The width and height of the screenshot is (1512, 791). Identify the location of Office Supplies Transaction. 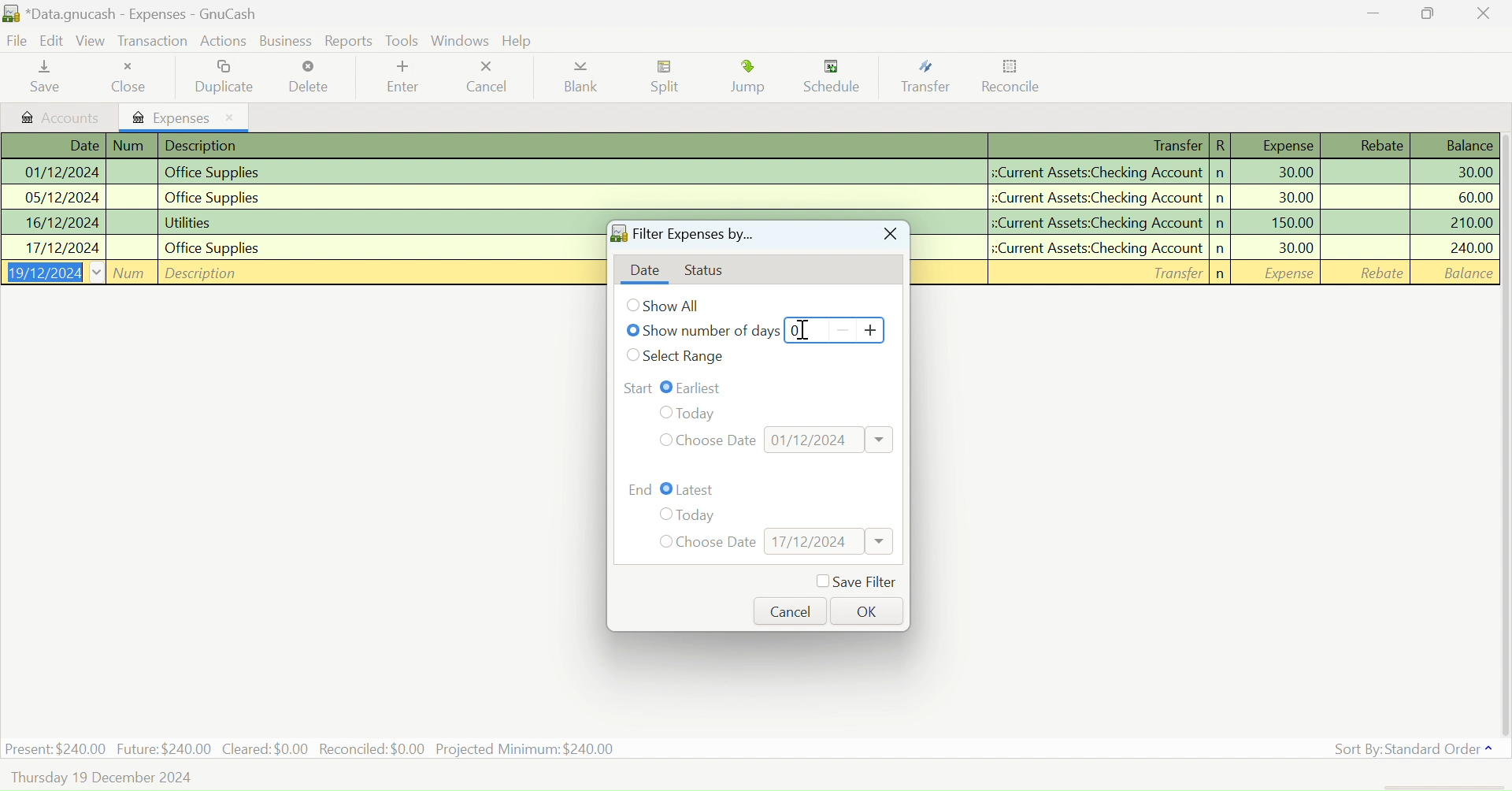
(1214, 247).